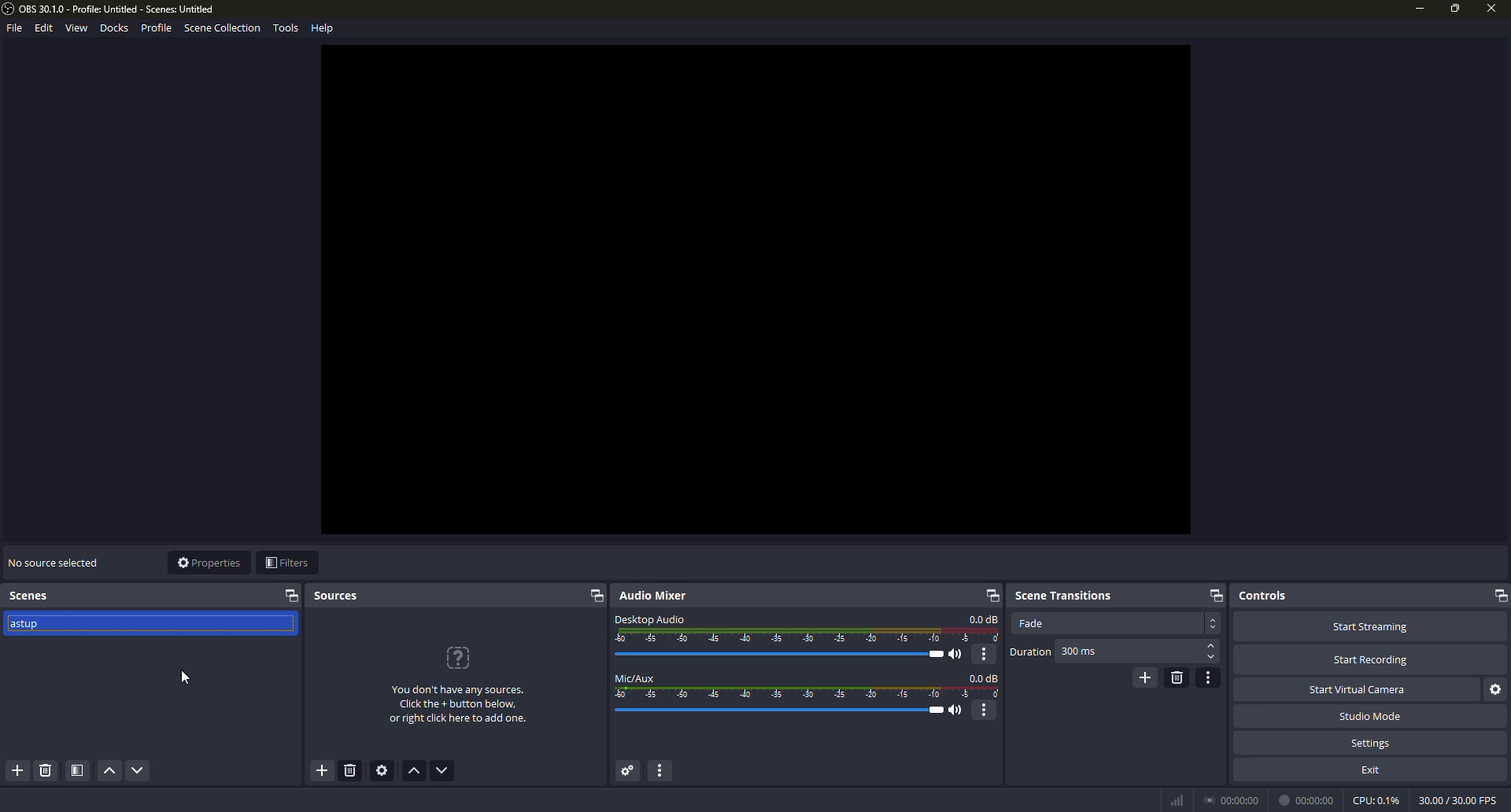  Describe the element at coordinates (1212, 646) in the screenshot. I see `select up` at that location.